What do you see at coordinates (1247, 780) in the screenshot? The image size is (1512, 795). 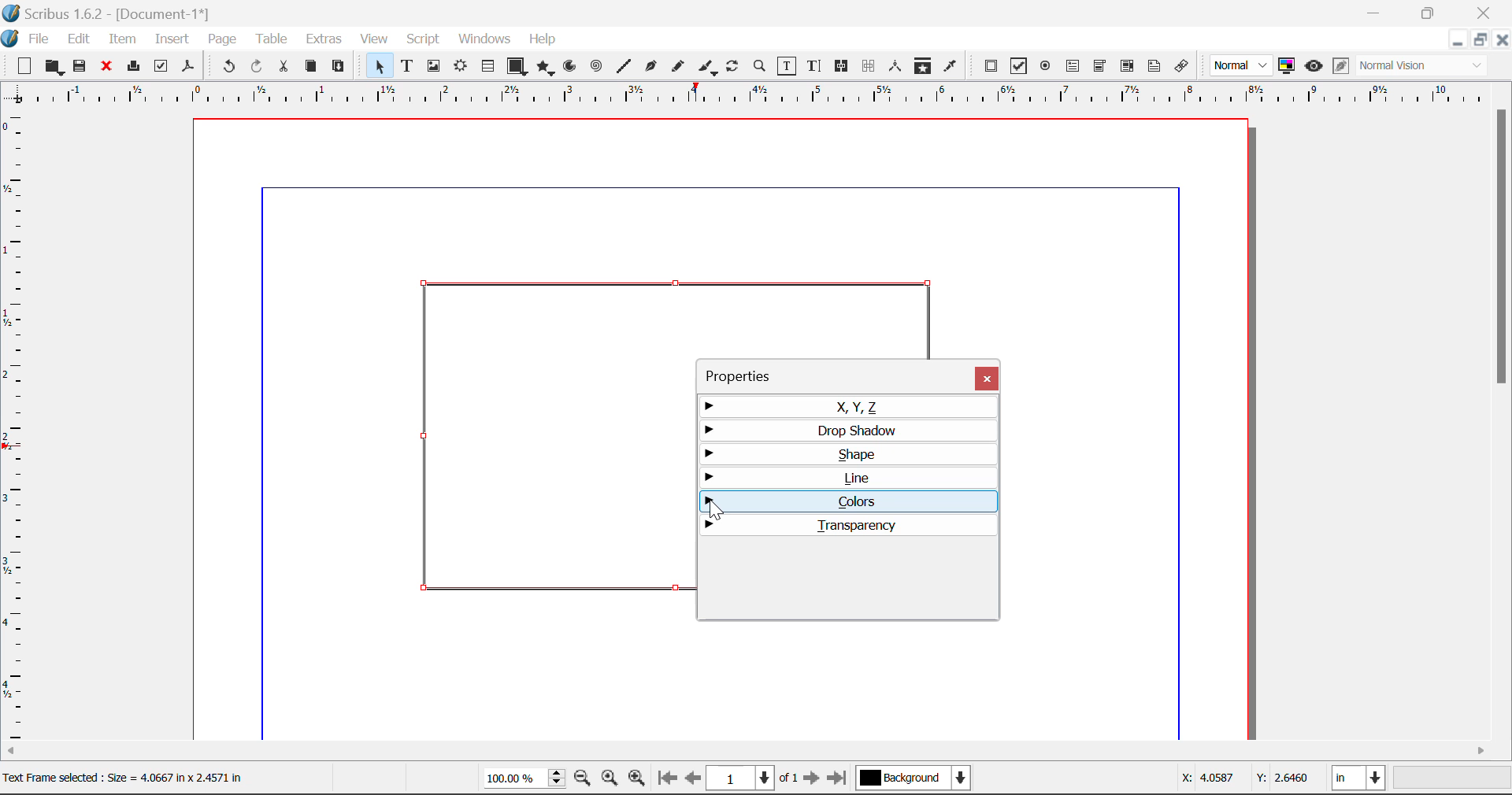 I see `Cursor Coordinates` at bounding box center [1247, 780].